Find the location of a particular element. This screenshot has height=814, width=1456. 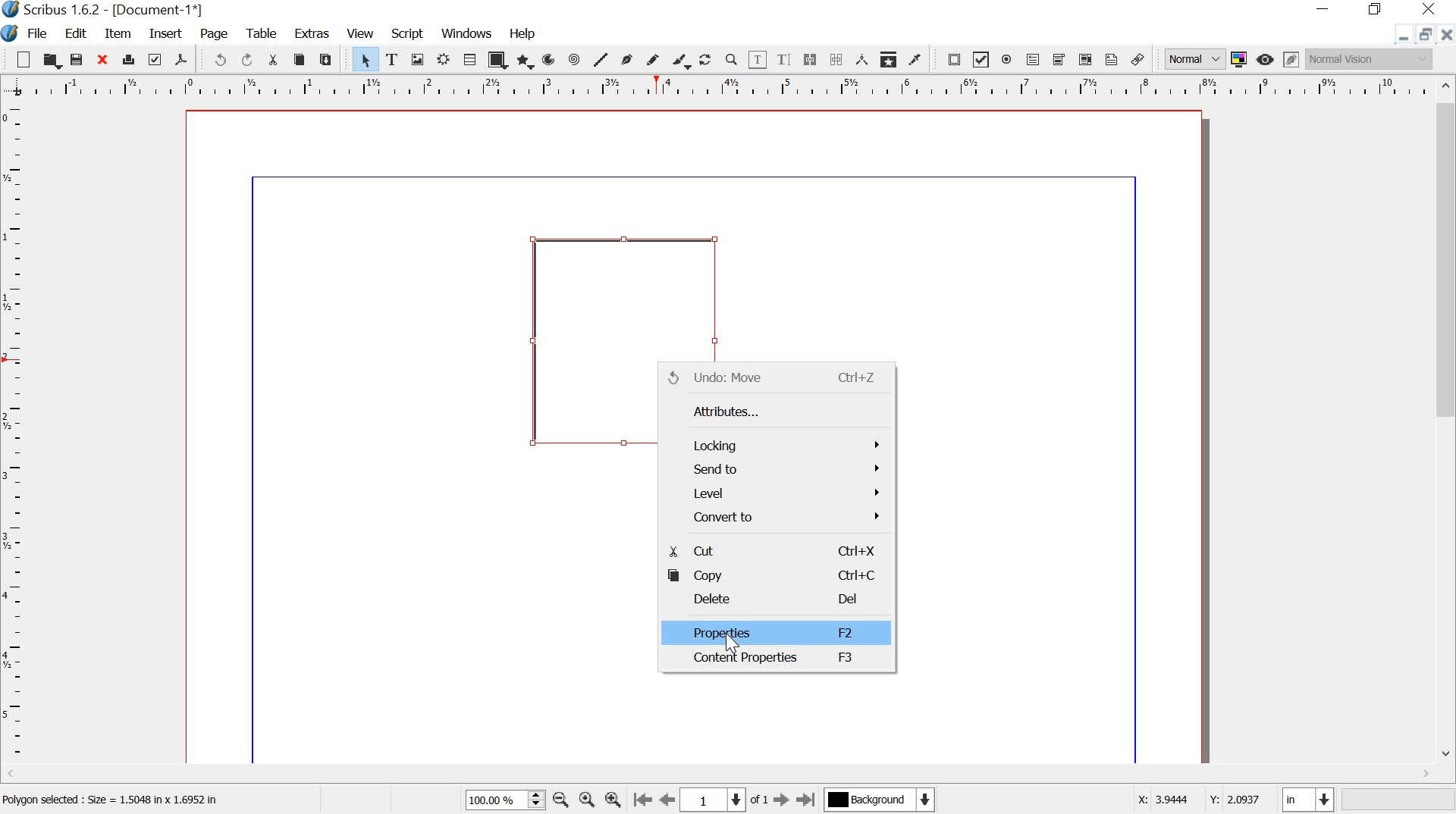

unlink text frames is located at coordinates (836, 60).